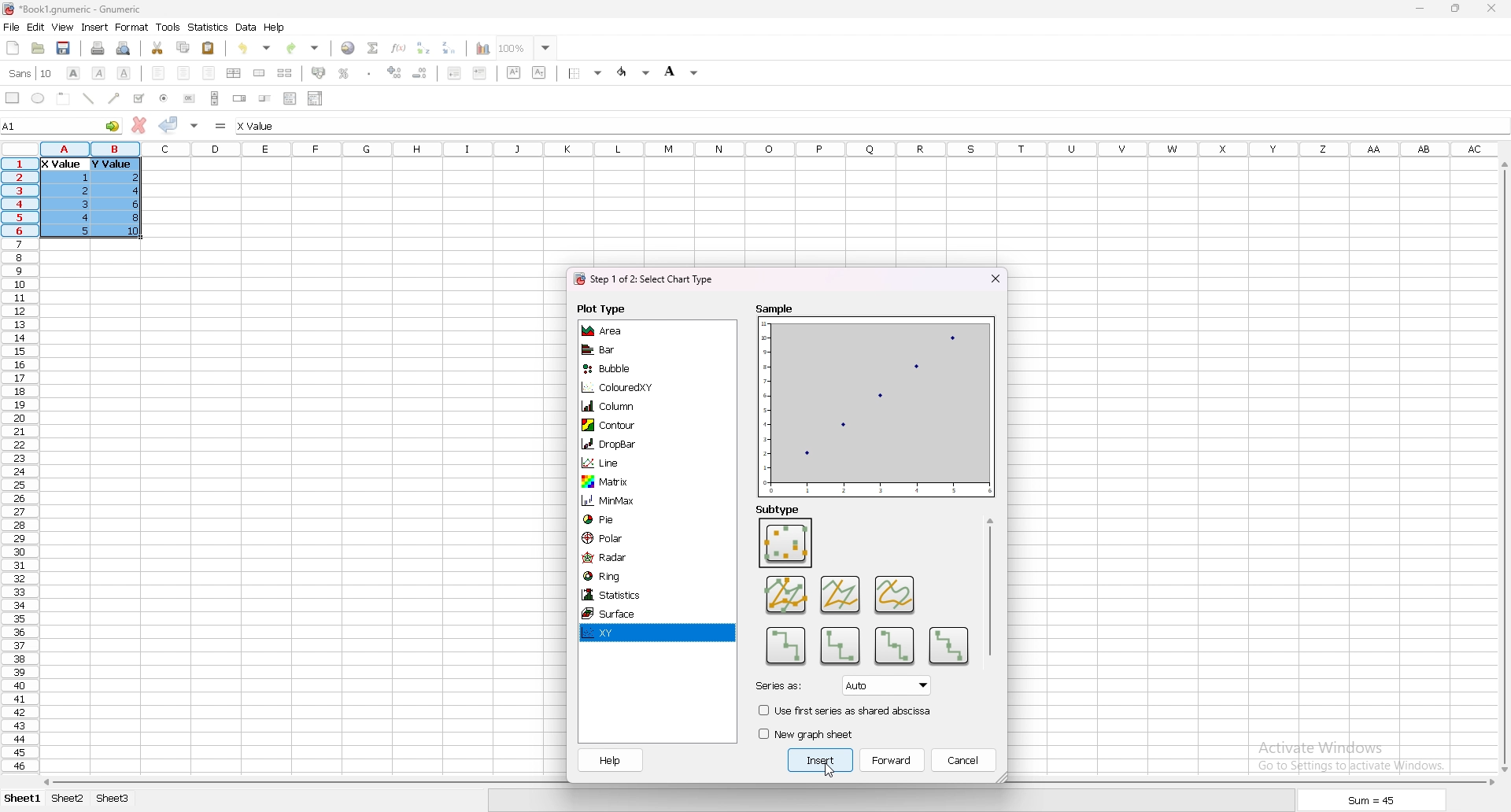 The image size is (1511, 812). What do you see at coordinates (158, 72) in the screenshot?
I see `left align` at bounding box center [158, 72].